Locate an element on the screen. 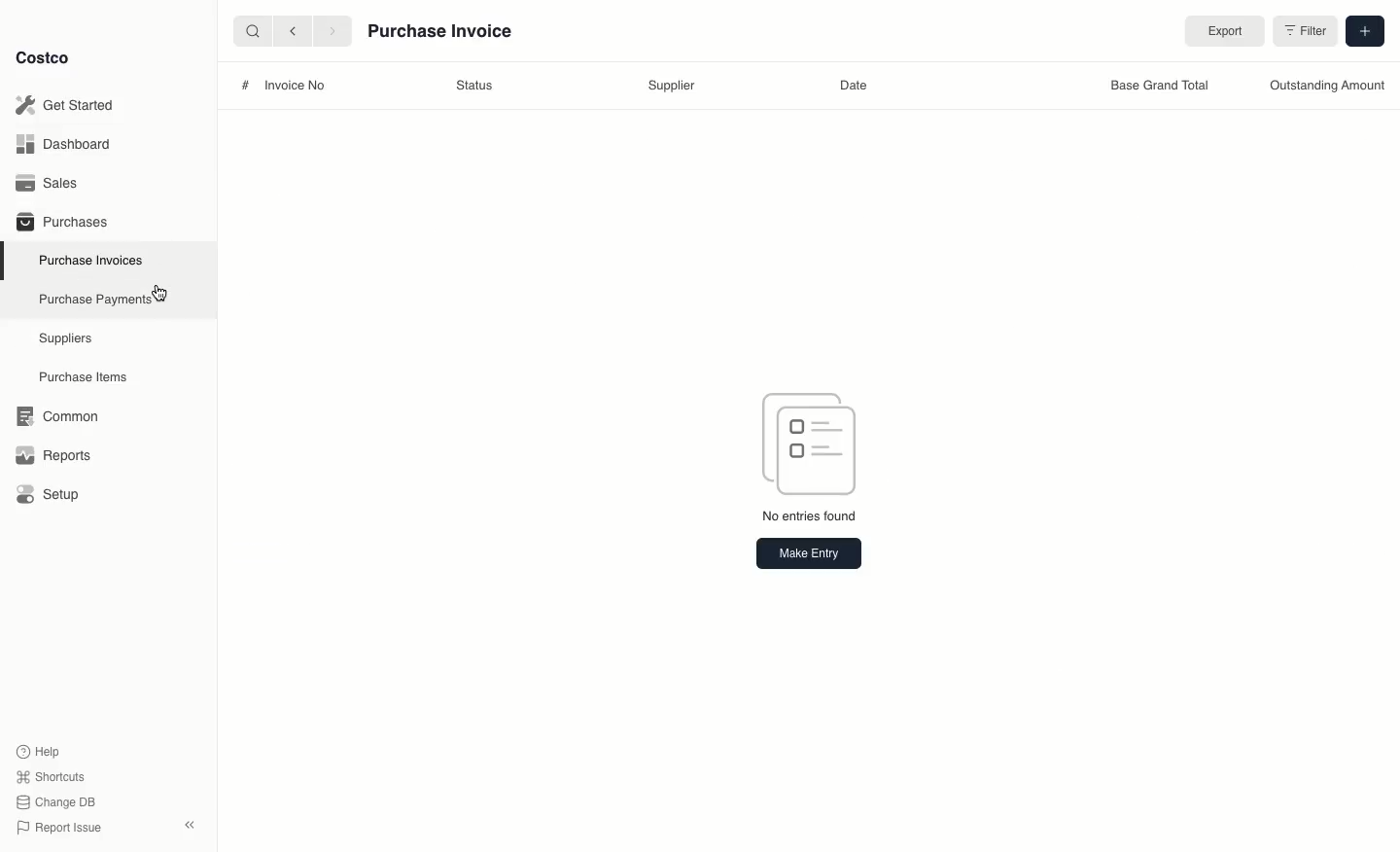 The height and width of the screenshot is (852, 1400). Reports is located at coordinates (51, 452).